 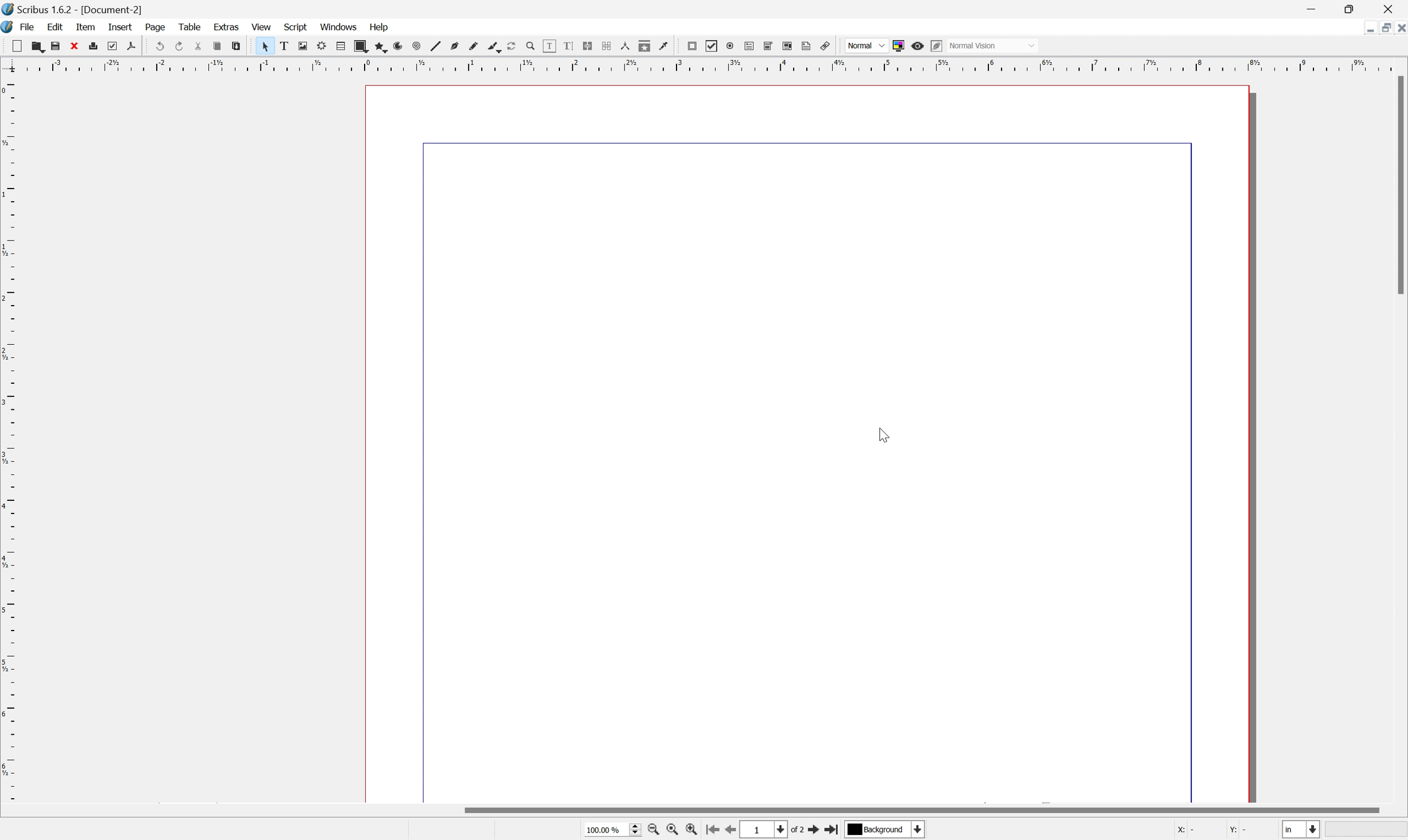 I want to click on Line, so click(x=433, y=46).